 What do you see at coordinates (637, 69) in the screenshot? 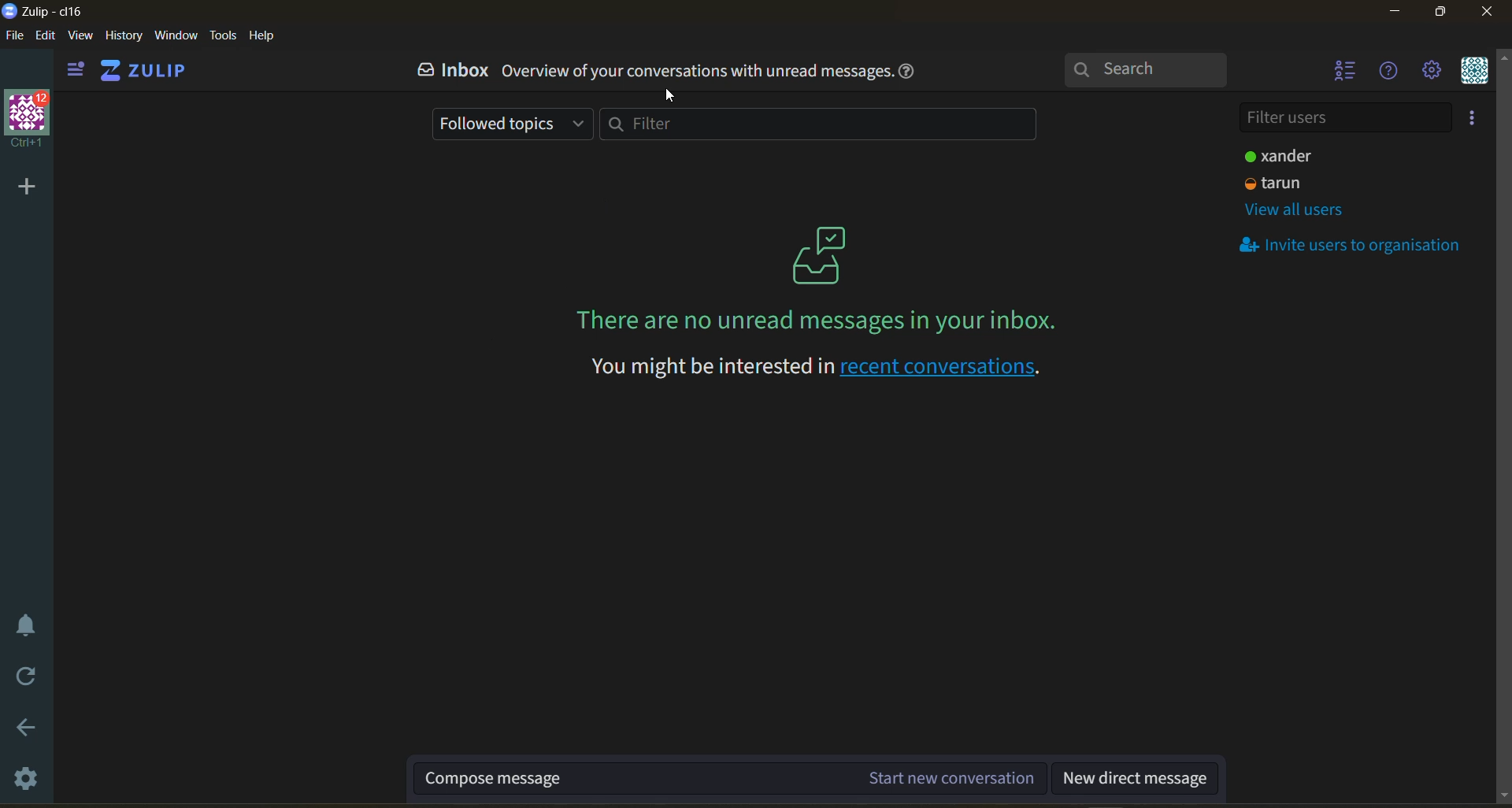
I see `inbox overview of your conversation with unread messages` at bounding box center [637, 69].